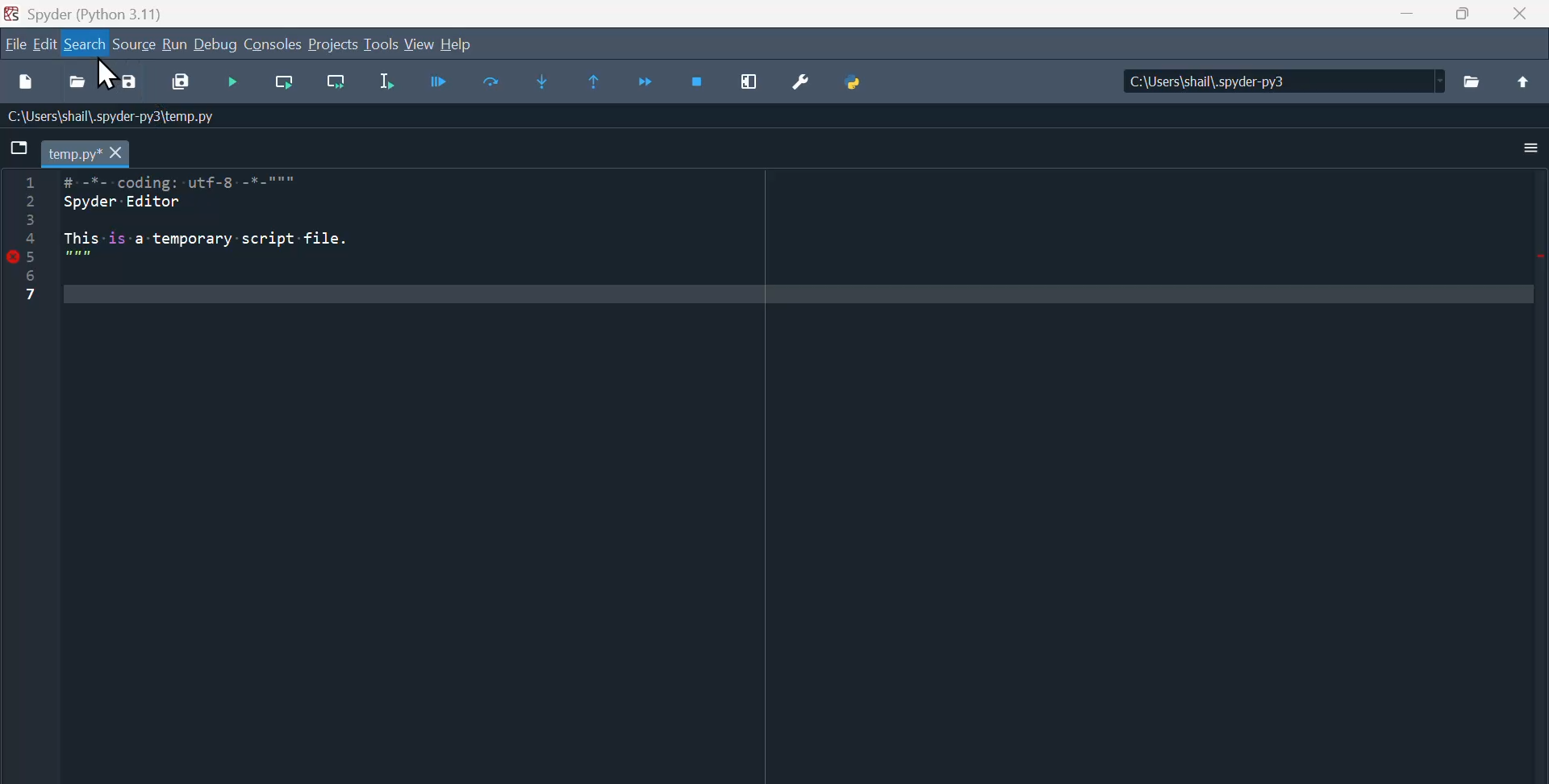 The height and width of the screenshot is (784, 1549). Describe the element at coordinates (47, 45) in the screenshot. I see `Edit` at that location.